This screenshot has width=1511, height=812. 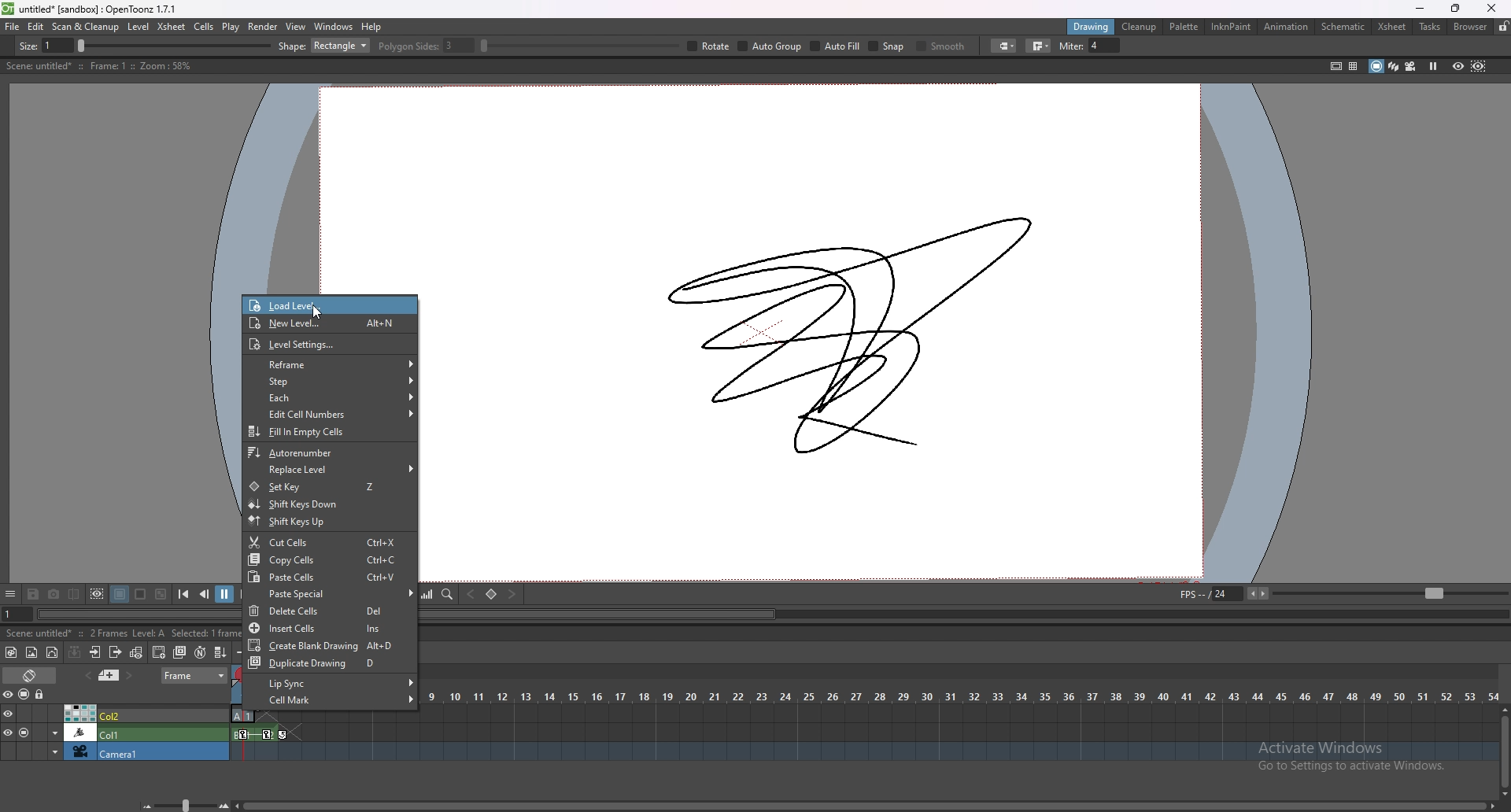 I want to click on close x subsheet, so click(x=114, y=652).